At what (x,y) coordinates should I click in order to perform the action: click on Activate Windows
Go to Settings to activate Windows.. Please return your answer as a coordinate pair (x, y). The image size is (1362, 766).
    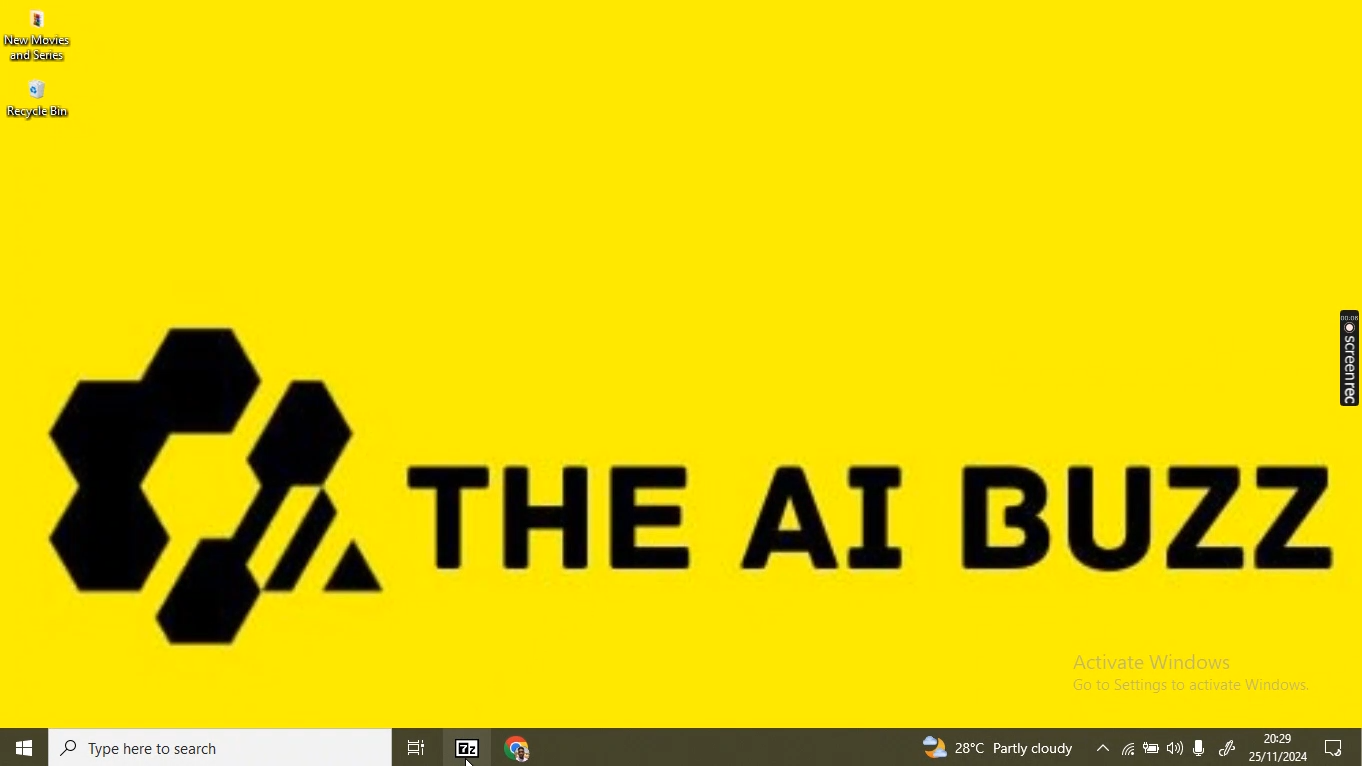
    Looking at the image, I should click on (1195, 679).